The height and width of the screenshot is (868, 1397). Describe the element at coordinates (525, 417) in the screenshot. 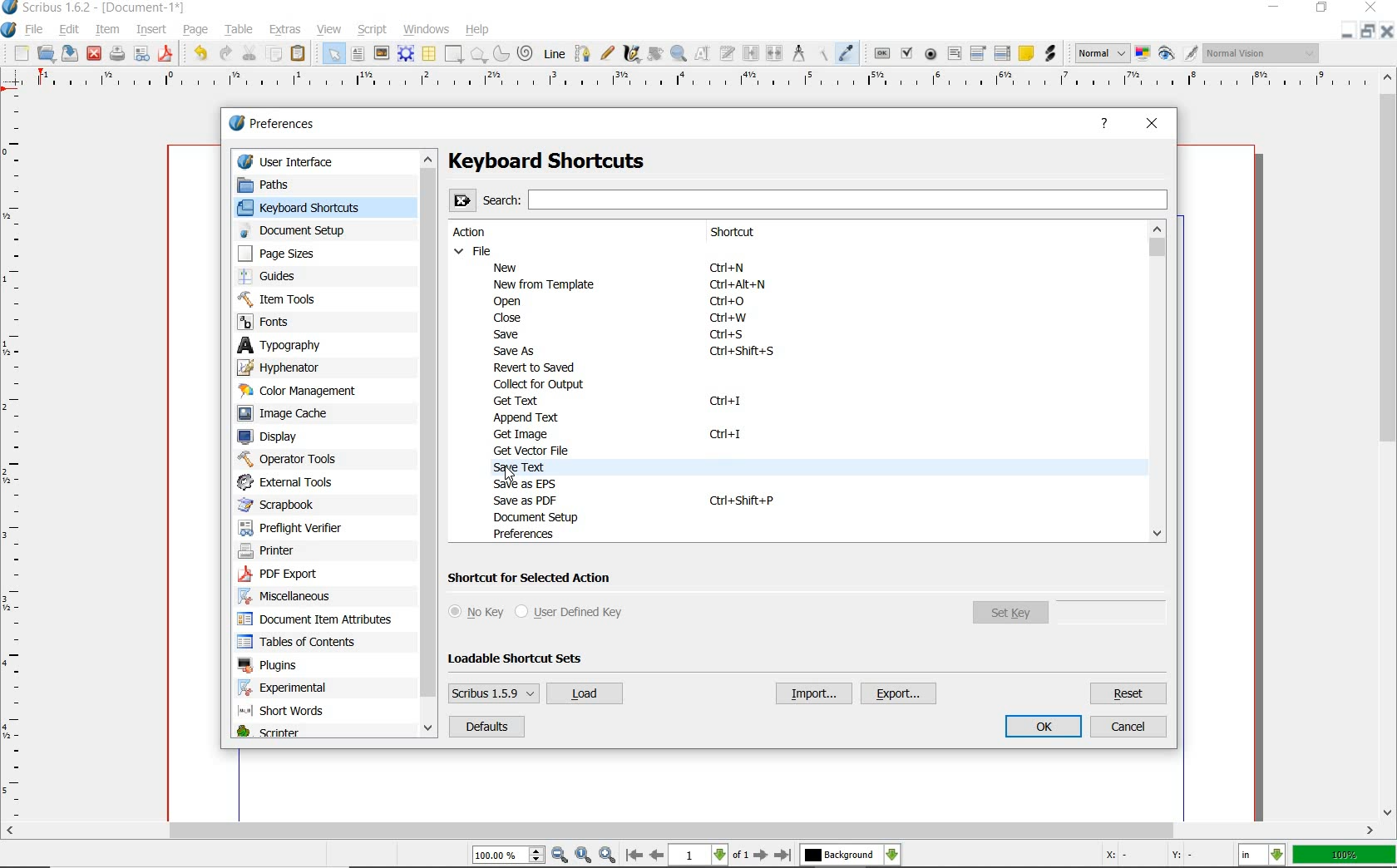

I see `append text` at that location.